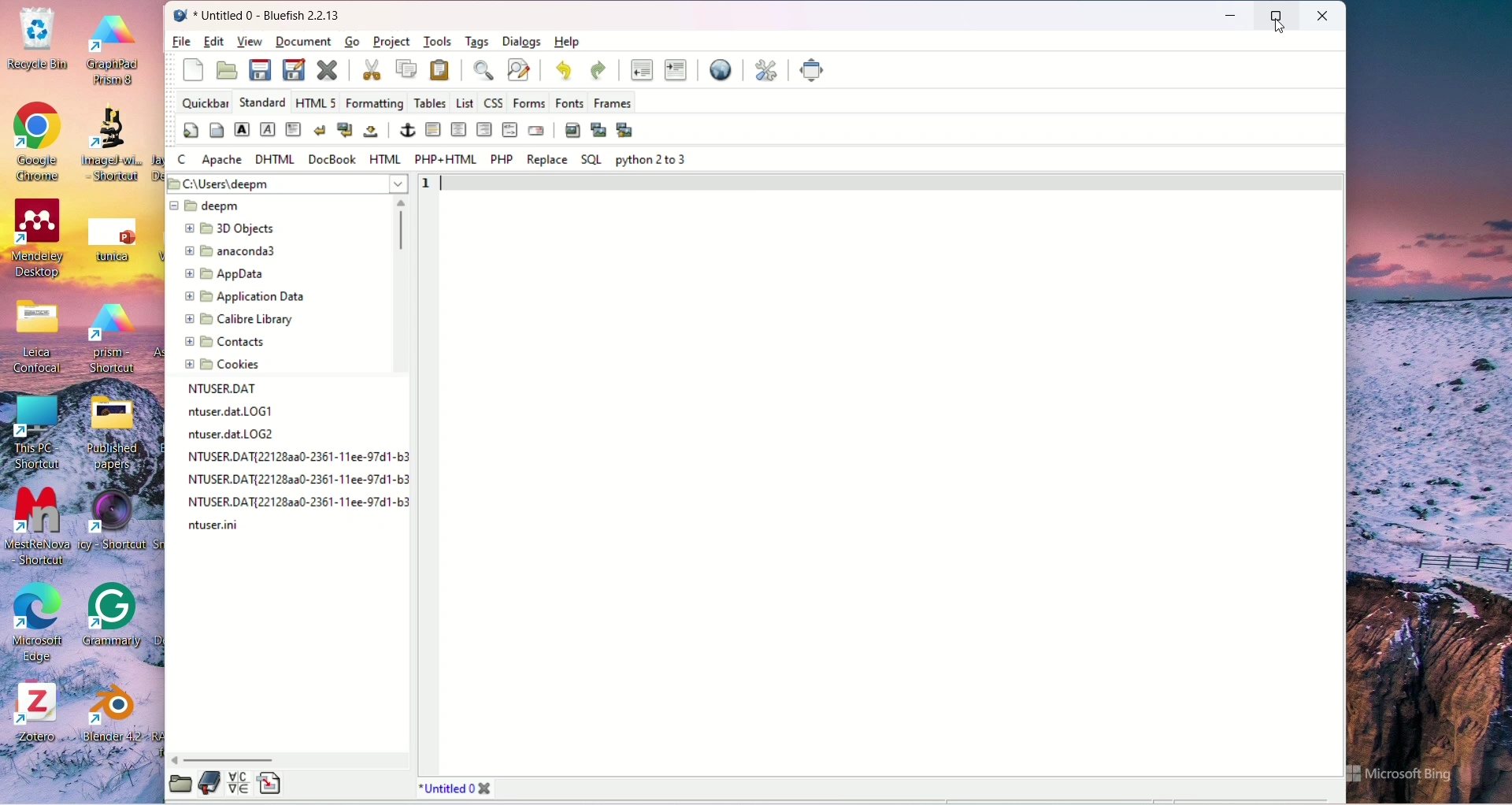 This screenshot has width=1512, height=805. What do you see at coordinates (41, 716) in the screenshot?
I see `zotero` at bounding box center [41, 716].